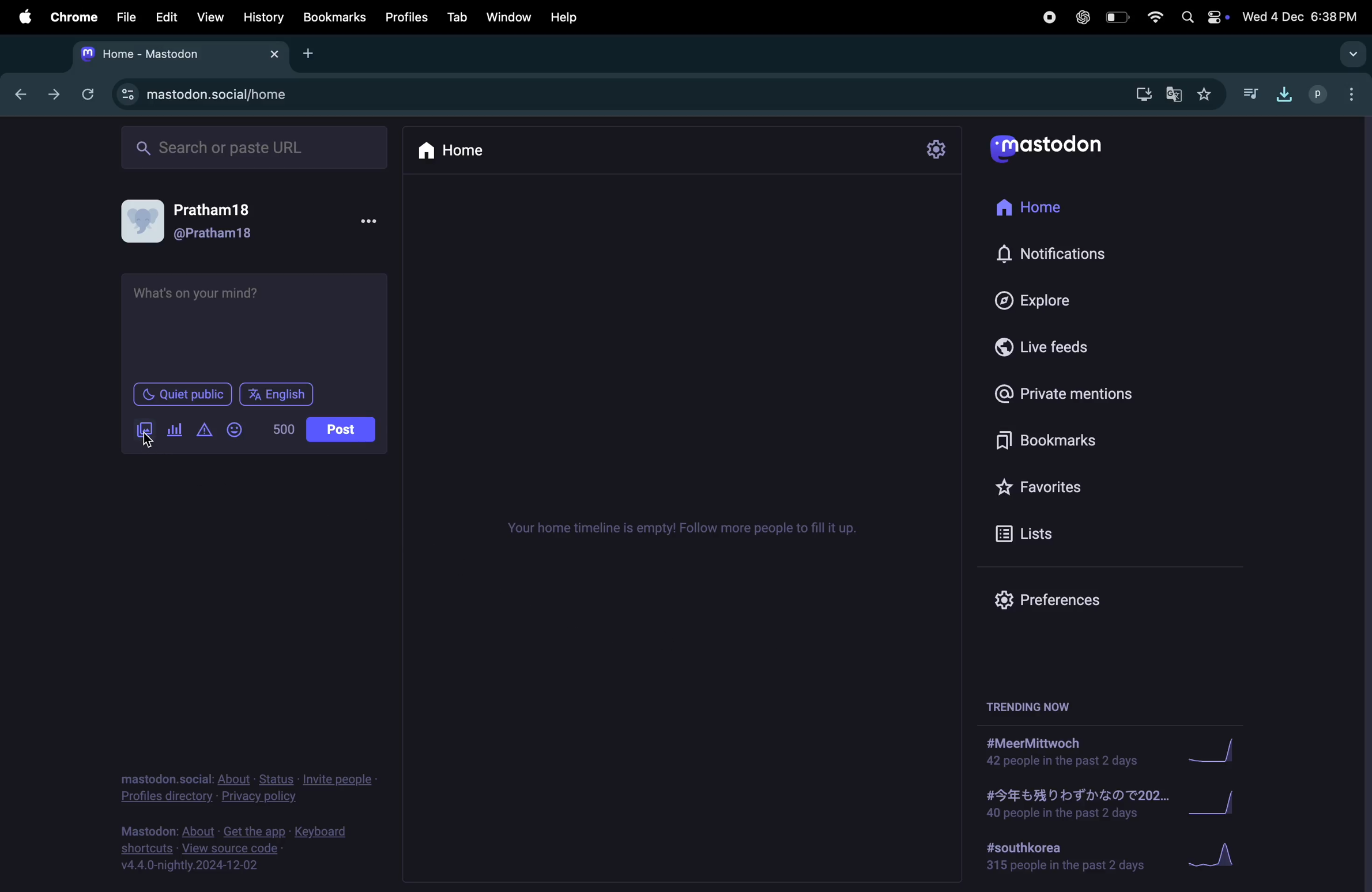 The width and height of the screenshot is (1372, 892). I want to click on 500 words, so click(281, 429).